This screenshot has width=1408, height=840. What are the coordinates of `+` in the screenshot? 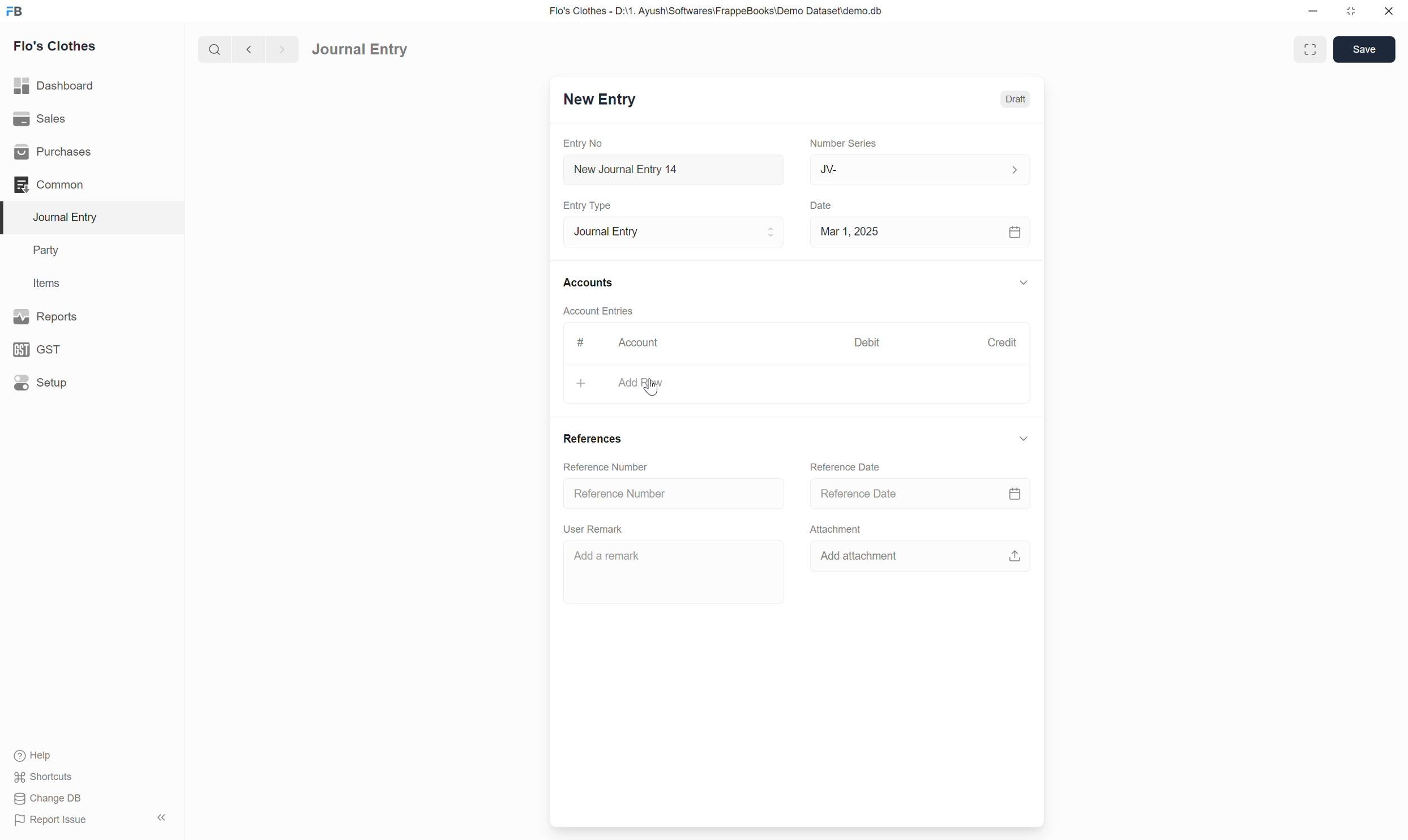 It's located at (583, 383).